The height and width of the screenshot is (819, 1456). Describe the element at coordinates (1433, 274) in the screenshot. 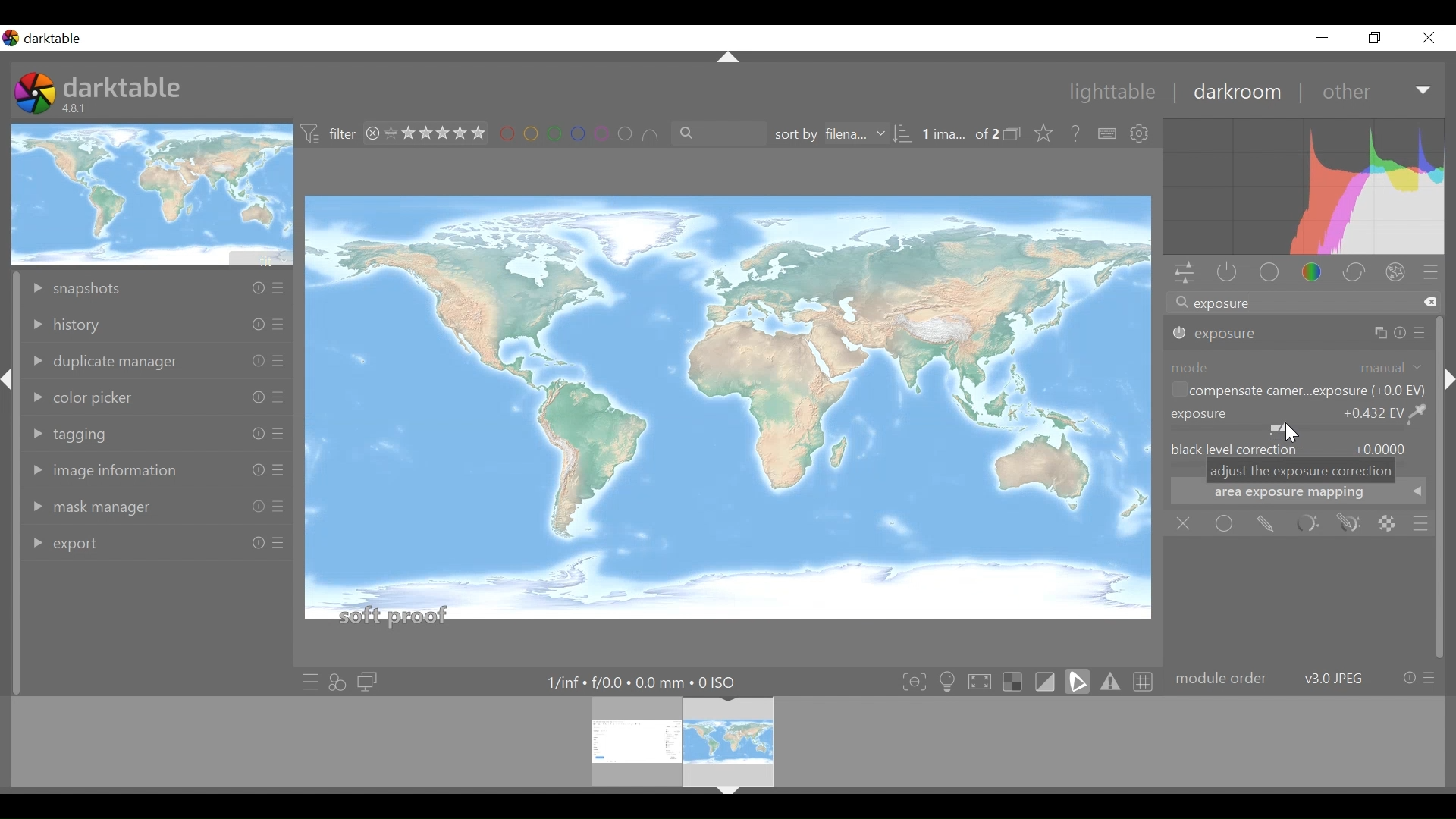

I see `Presets` at that location.